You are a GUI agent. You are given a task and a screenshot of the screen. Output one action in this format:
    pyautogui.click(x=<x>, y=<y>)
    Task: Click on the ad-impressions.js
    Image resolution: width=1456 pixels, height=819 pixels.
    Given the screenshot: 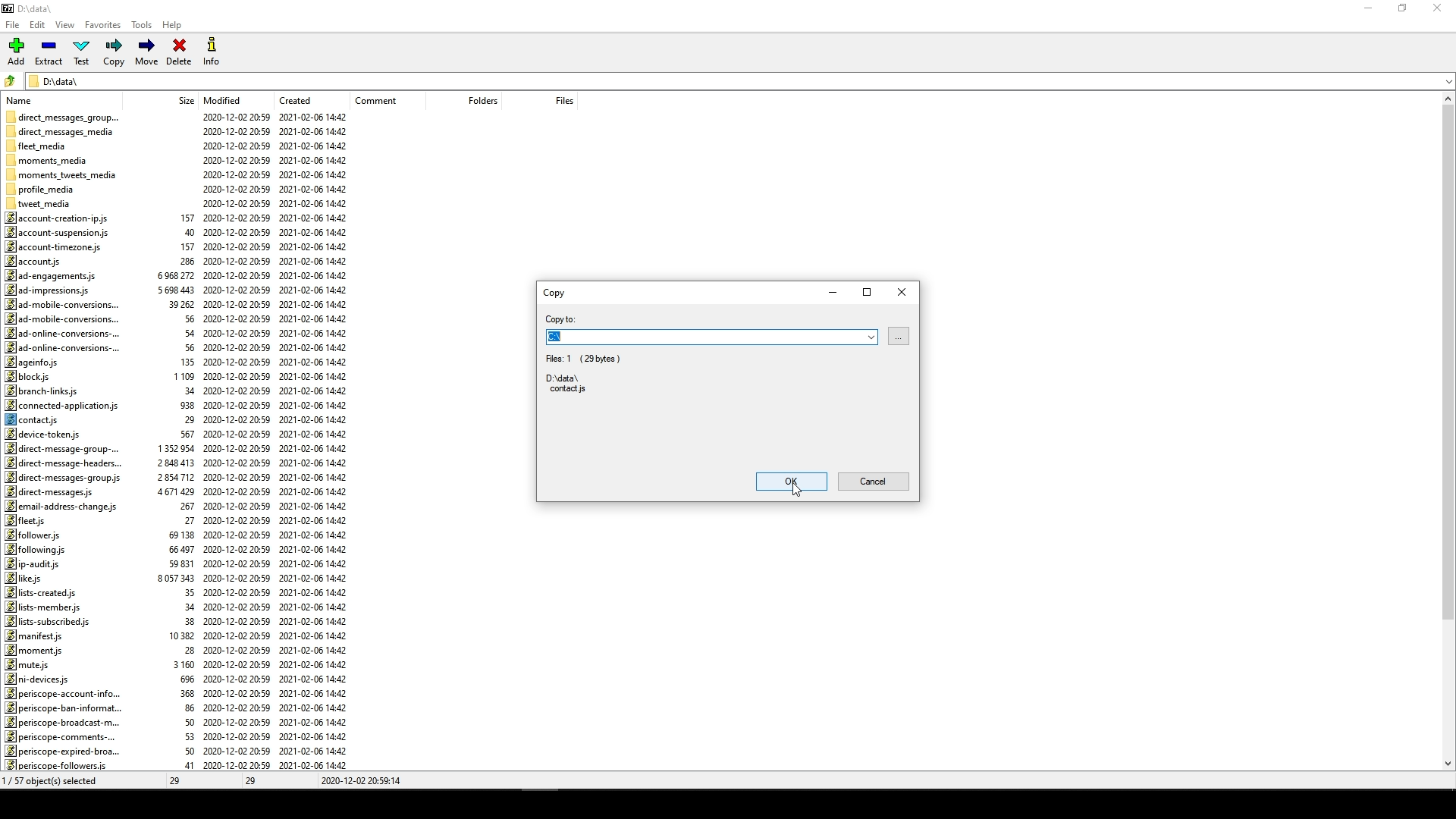 What is the action you would take?
    pyautogui.click(x=53, y=290)
    